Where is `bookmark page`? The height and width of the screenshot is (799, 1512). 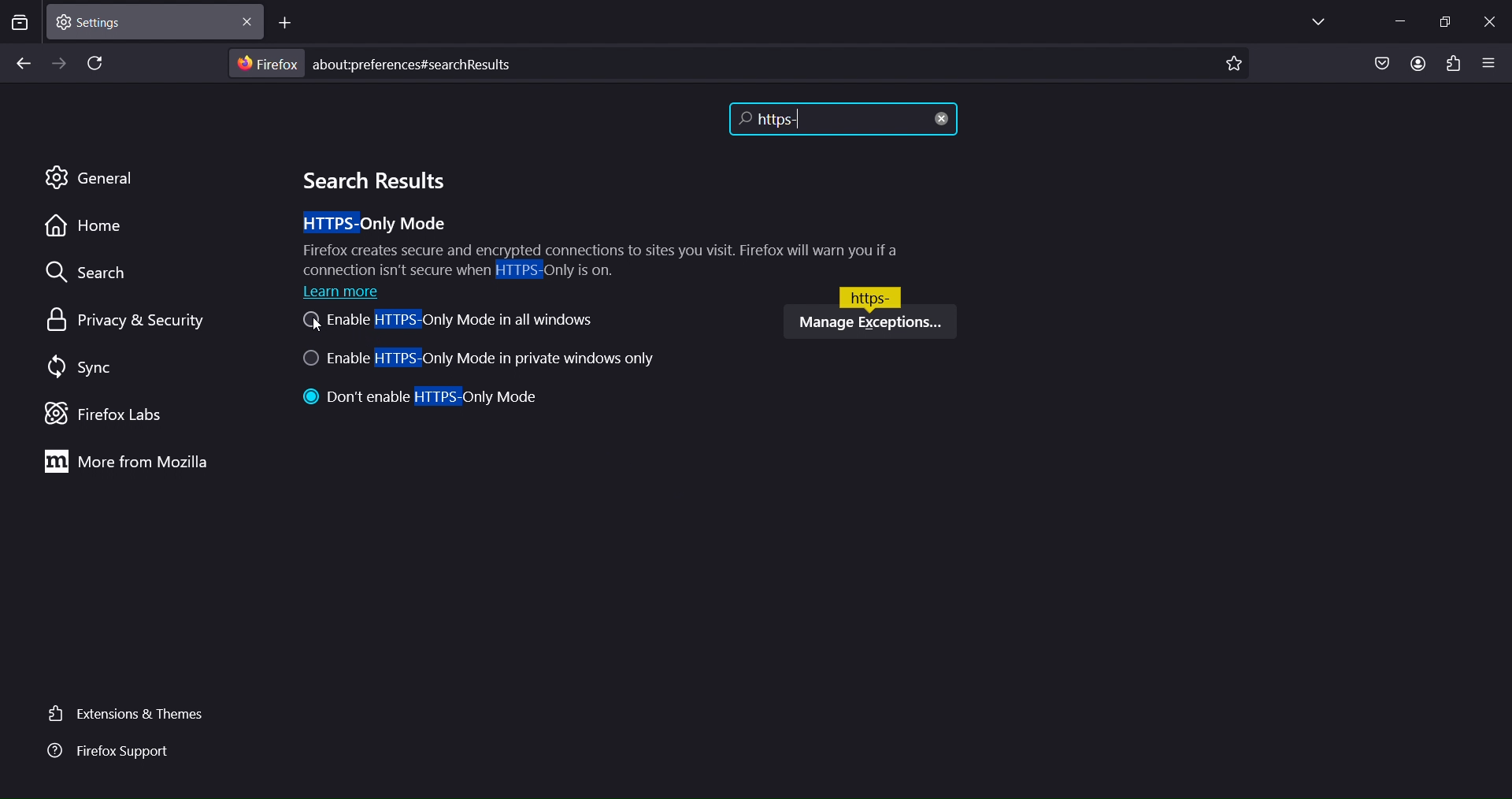
bookmark page is located at coordinates (1239, 61).